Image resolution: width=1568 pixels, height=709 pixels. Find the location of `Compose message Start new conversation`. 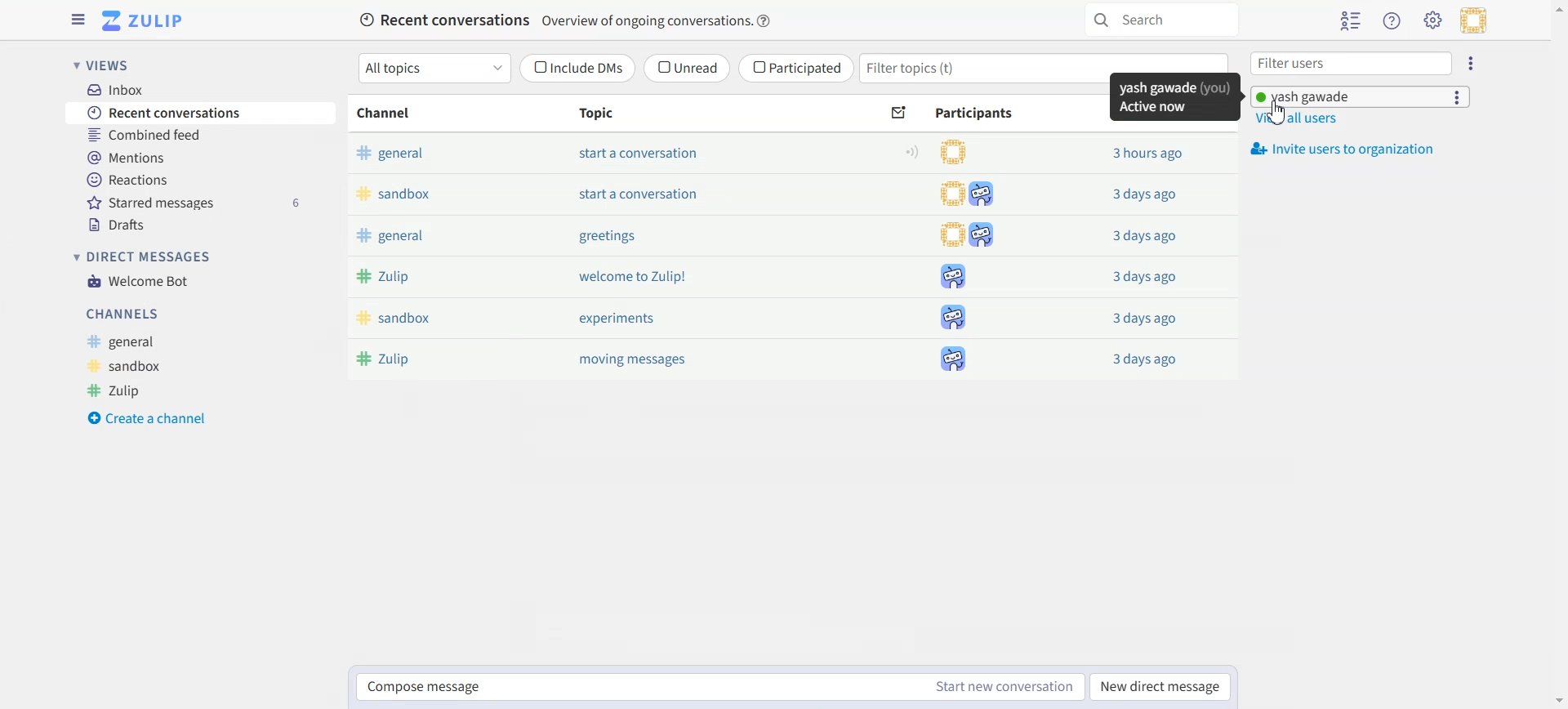

Compose message Start new conversation is located at coordinates (719, 687).